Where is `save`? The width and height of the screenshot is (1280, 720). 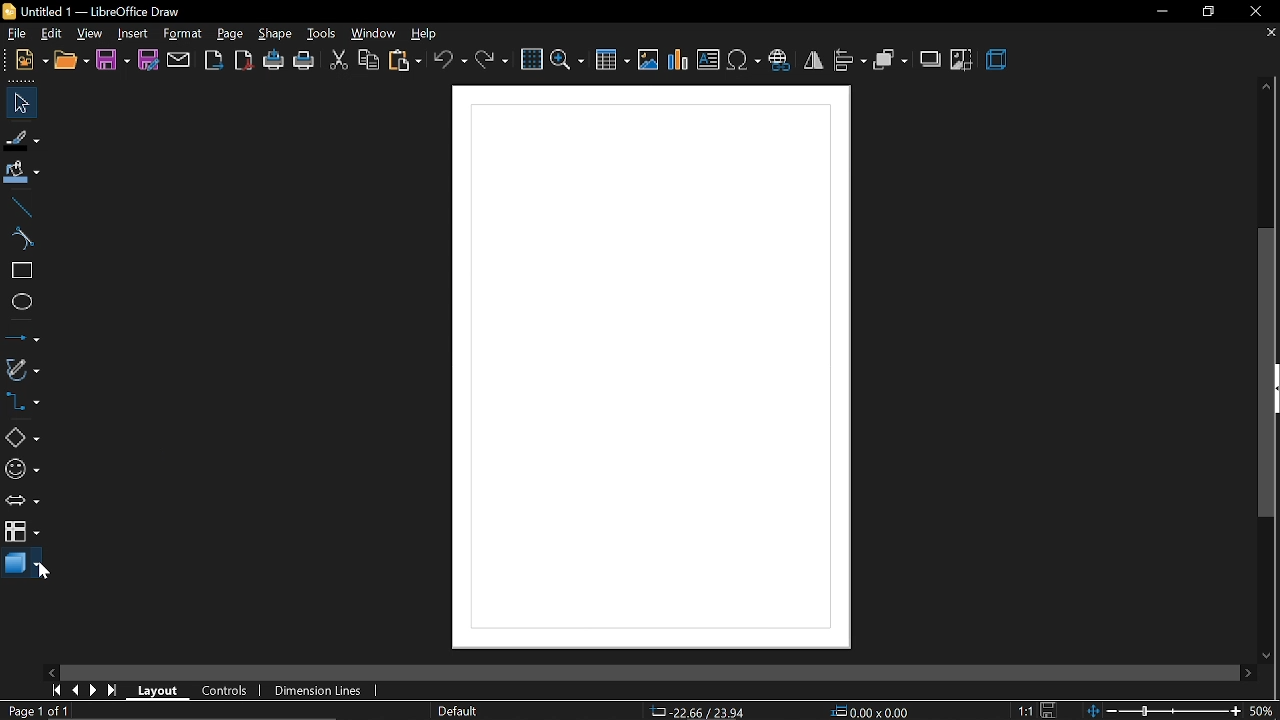
save is located at coordinates (1052, 709).